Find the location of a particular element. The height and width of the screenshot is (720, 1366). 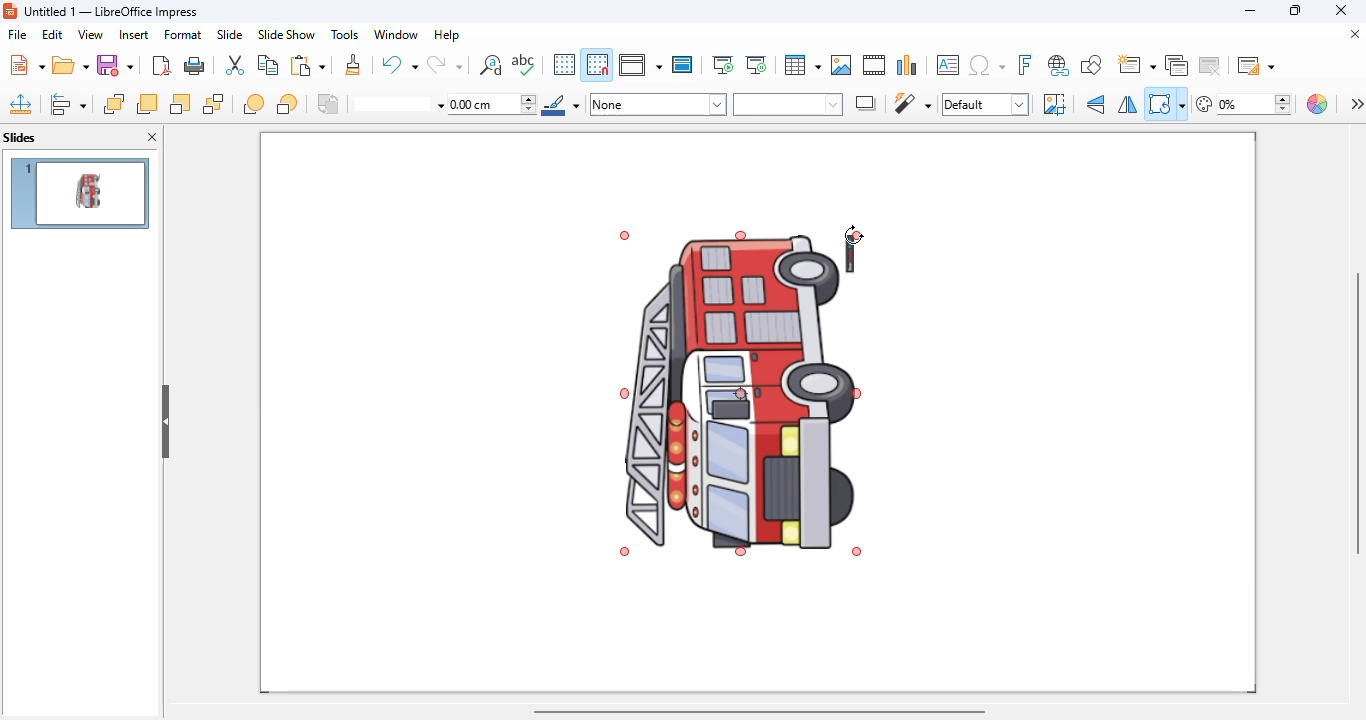

maximize is located at coordinates (1294, 10).